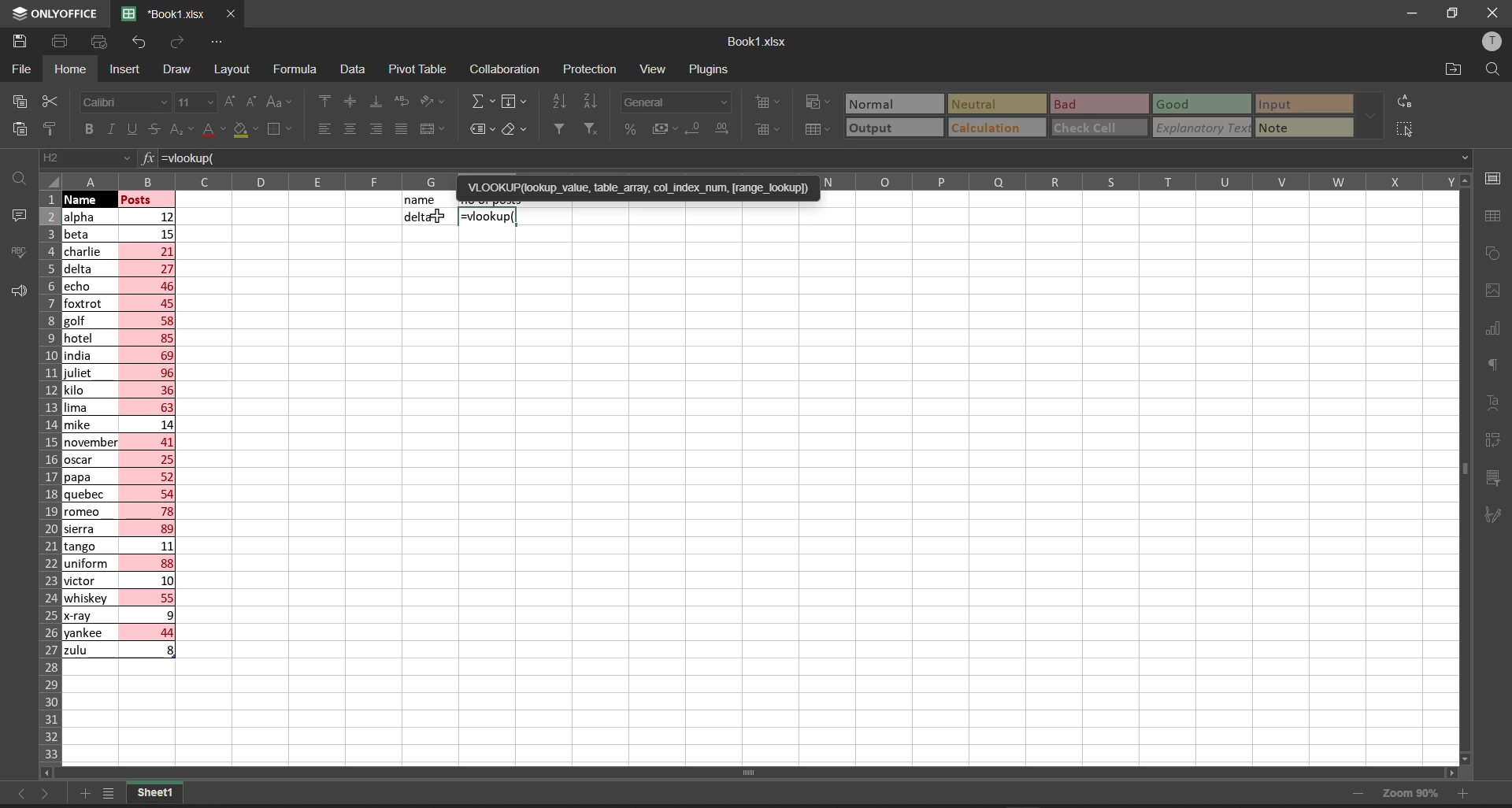 Image resolution: width=1512 pixels, height=808 pixels. I want to click on horizontal scroll bar, so click(753, 773).